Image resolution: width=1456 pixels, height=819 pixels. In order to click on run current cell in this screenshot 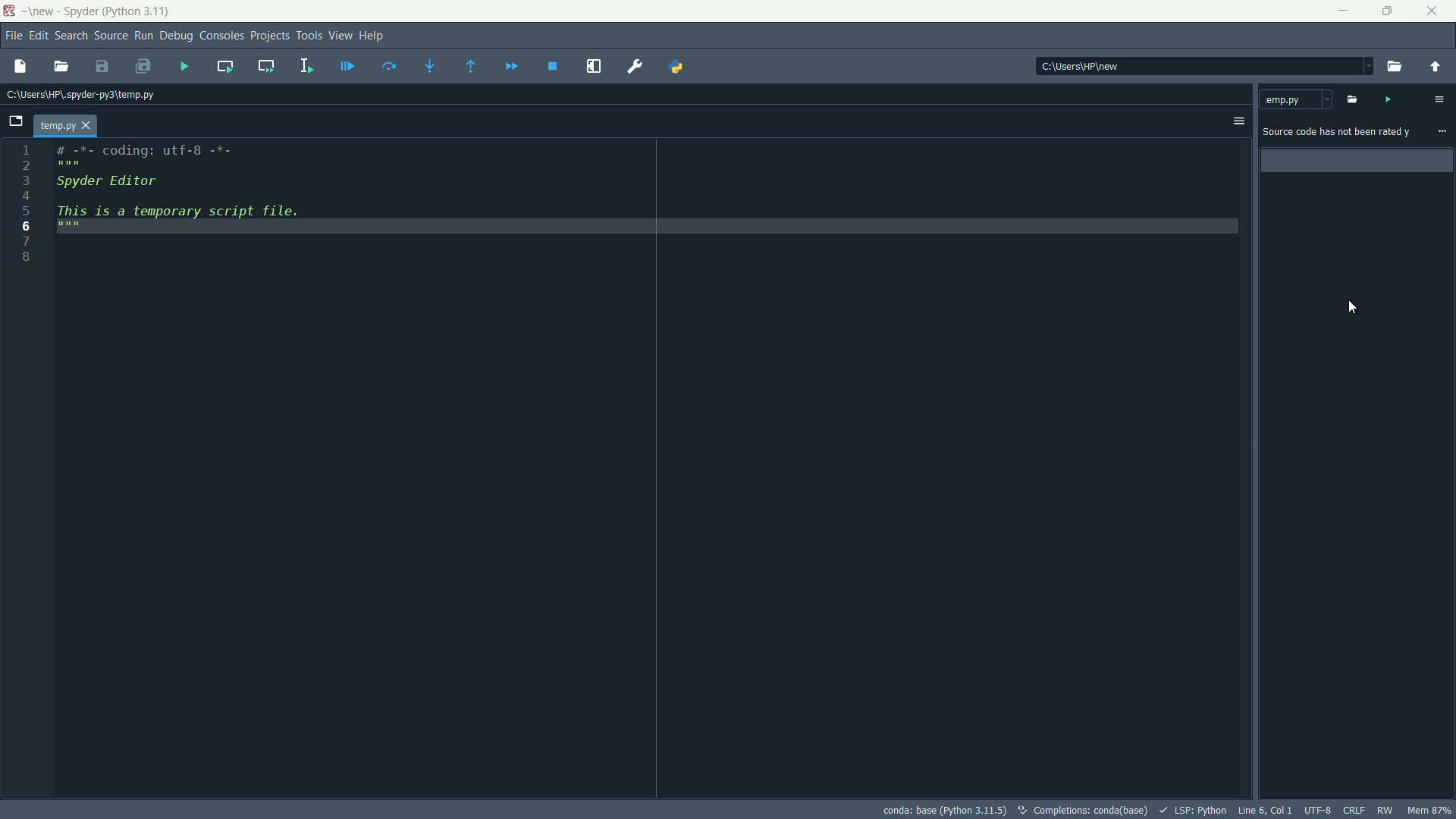, I will do `click(226, 65)`.